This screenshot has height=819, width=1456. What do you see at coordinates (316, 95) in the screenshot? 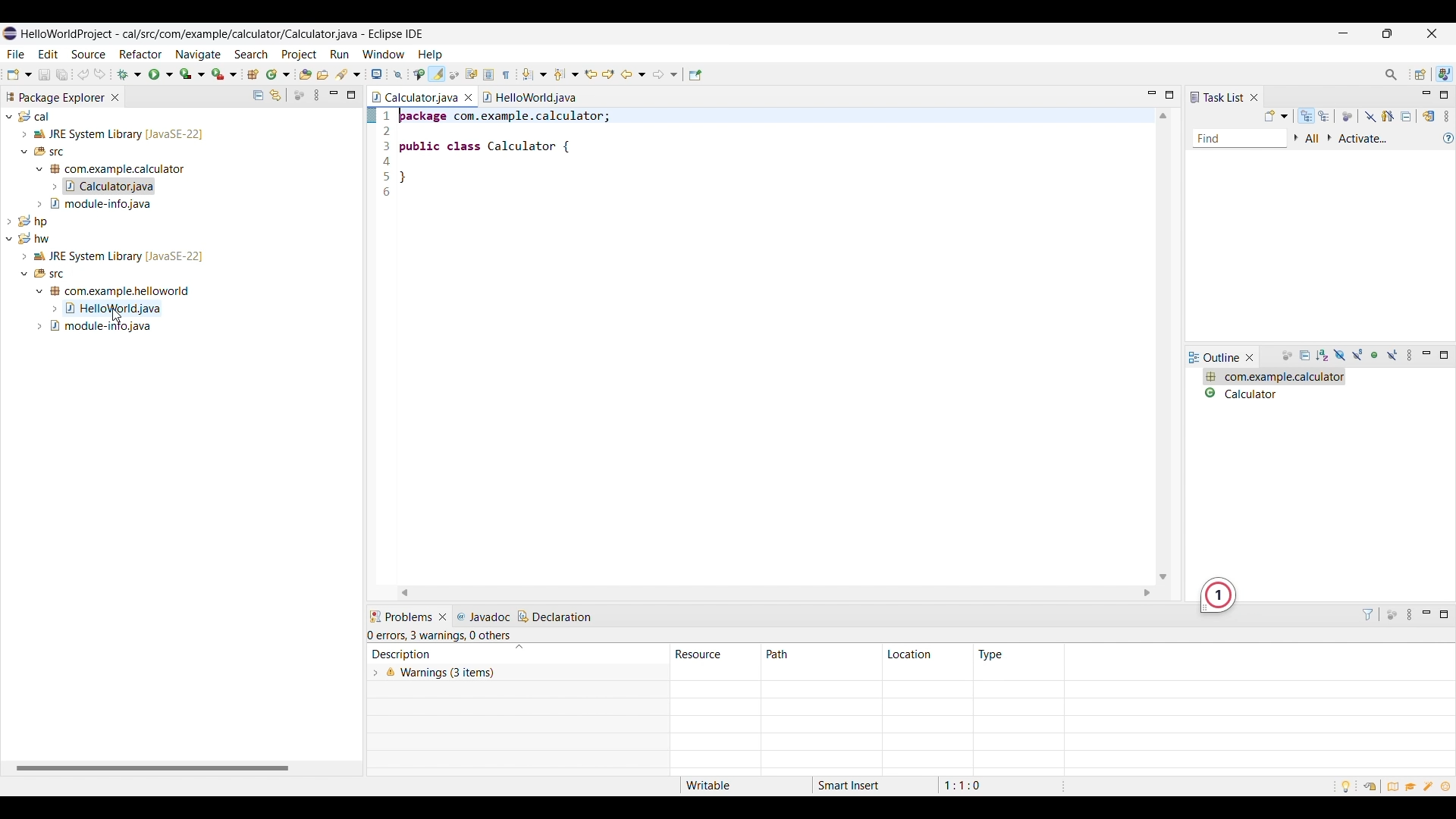
I see `View menu` at bounding box center [316, 95].